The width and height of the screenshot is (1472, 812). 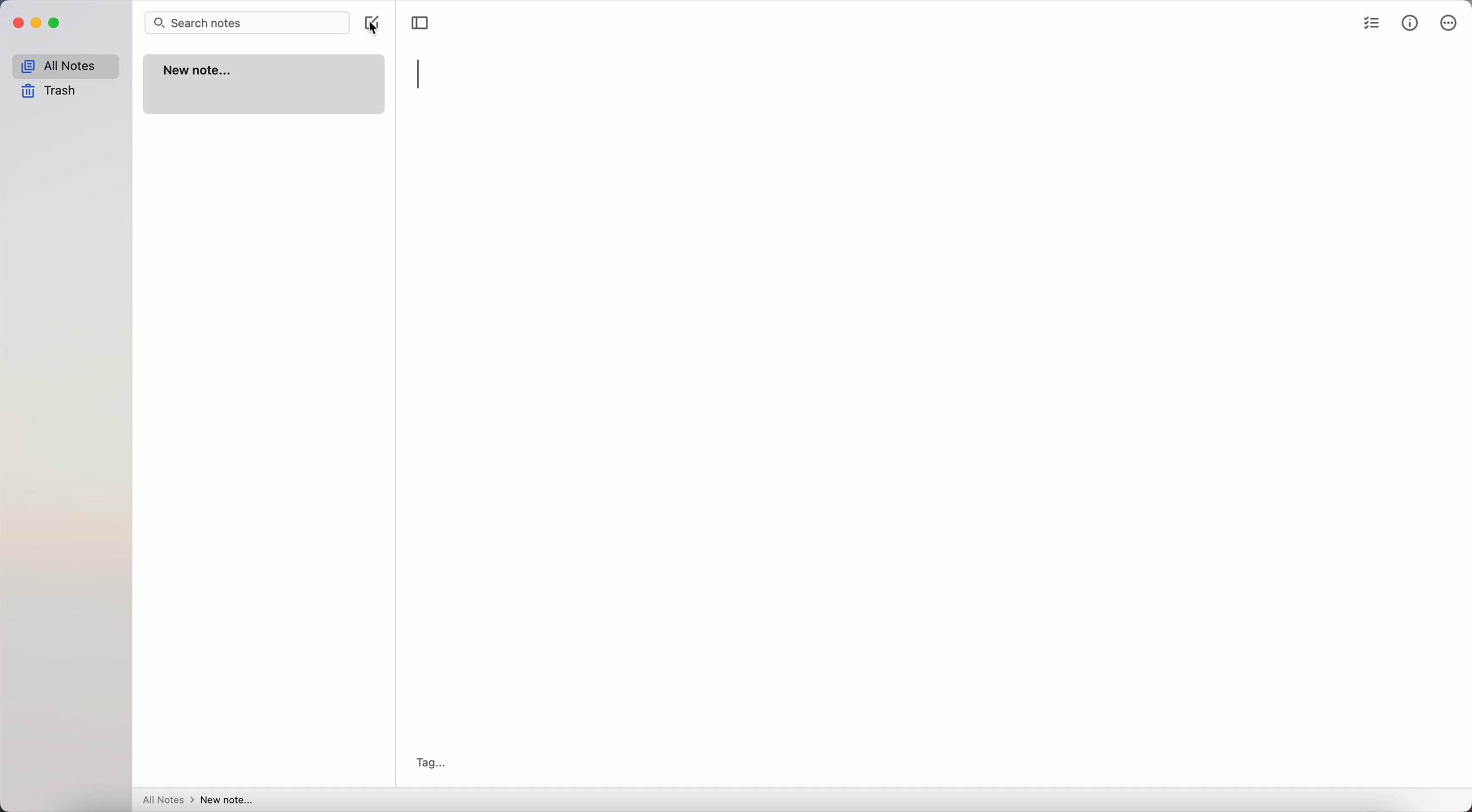 What do you see at coordinates (67, 65) in the screenshot?
I see `all notes` at bounding box center [67, 65].